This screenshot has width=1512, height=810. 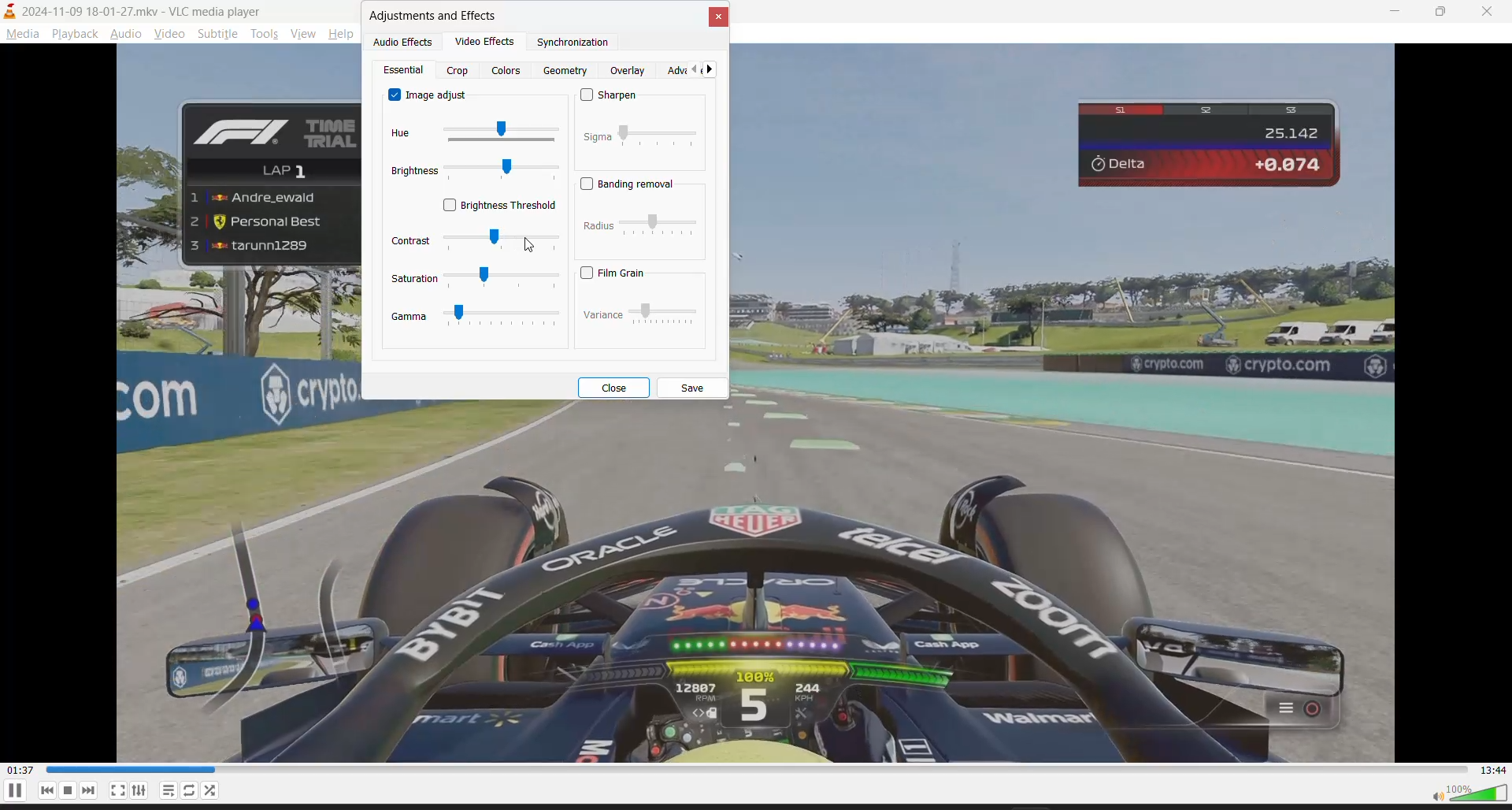 I want to click on previous, so click(x=43, y=791).